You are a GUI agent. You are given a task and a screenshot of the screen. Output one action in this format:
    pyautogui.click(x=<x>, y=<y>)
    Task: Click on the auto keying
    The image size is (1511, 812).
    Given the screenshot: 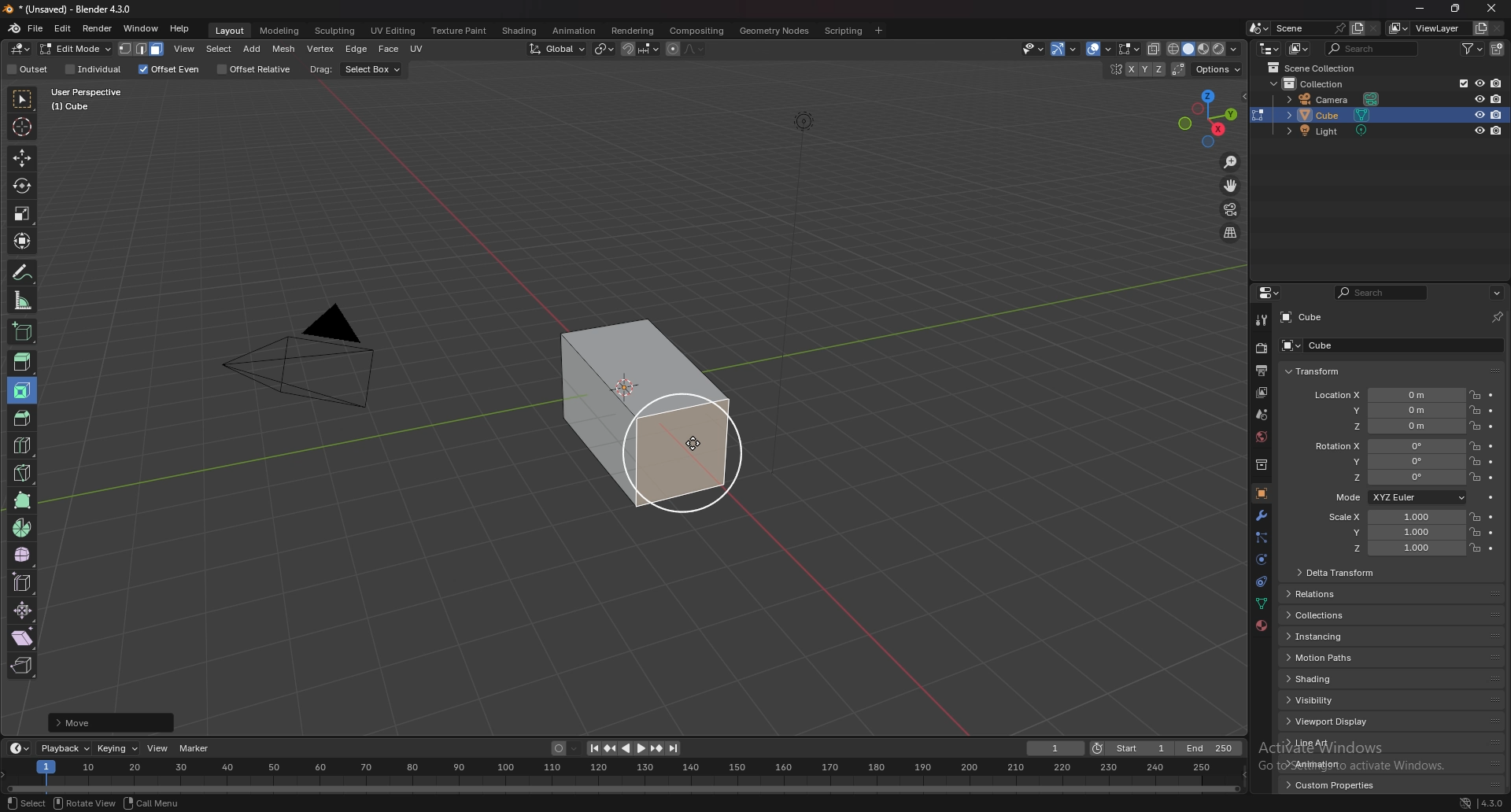 What is the action you would take?
    pyautogui.click(x=565, y=748)
    